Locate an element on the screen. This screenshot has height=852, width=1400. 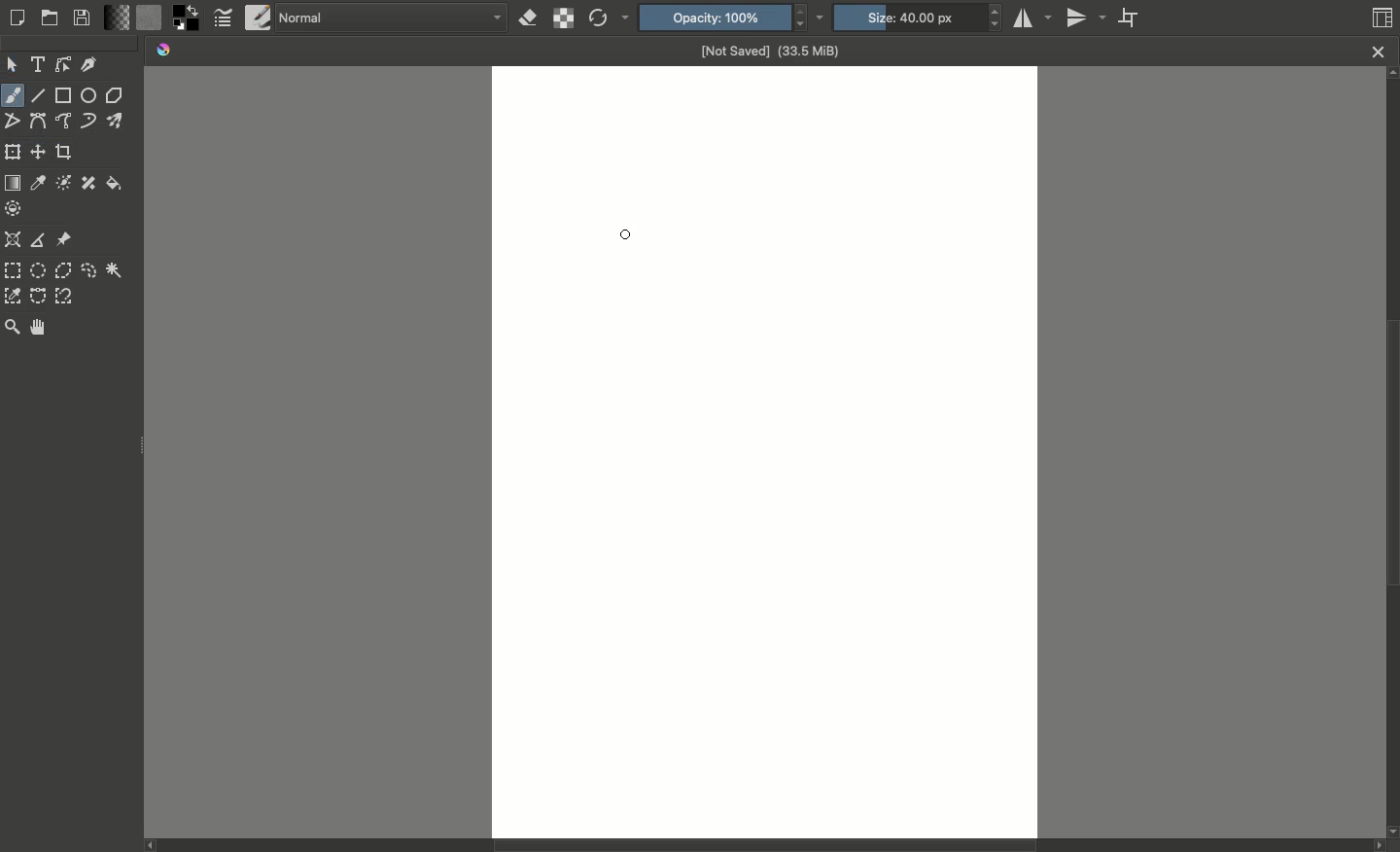
Not saved (33.5 MiB) is located at coordinates (771, 50).